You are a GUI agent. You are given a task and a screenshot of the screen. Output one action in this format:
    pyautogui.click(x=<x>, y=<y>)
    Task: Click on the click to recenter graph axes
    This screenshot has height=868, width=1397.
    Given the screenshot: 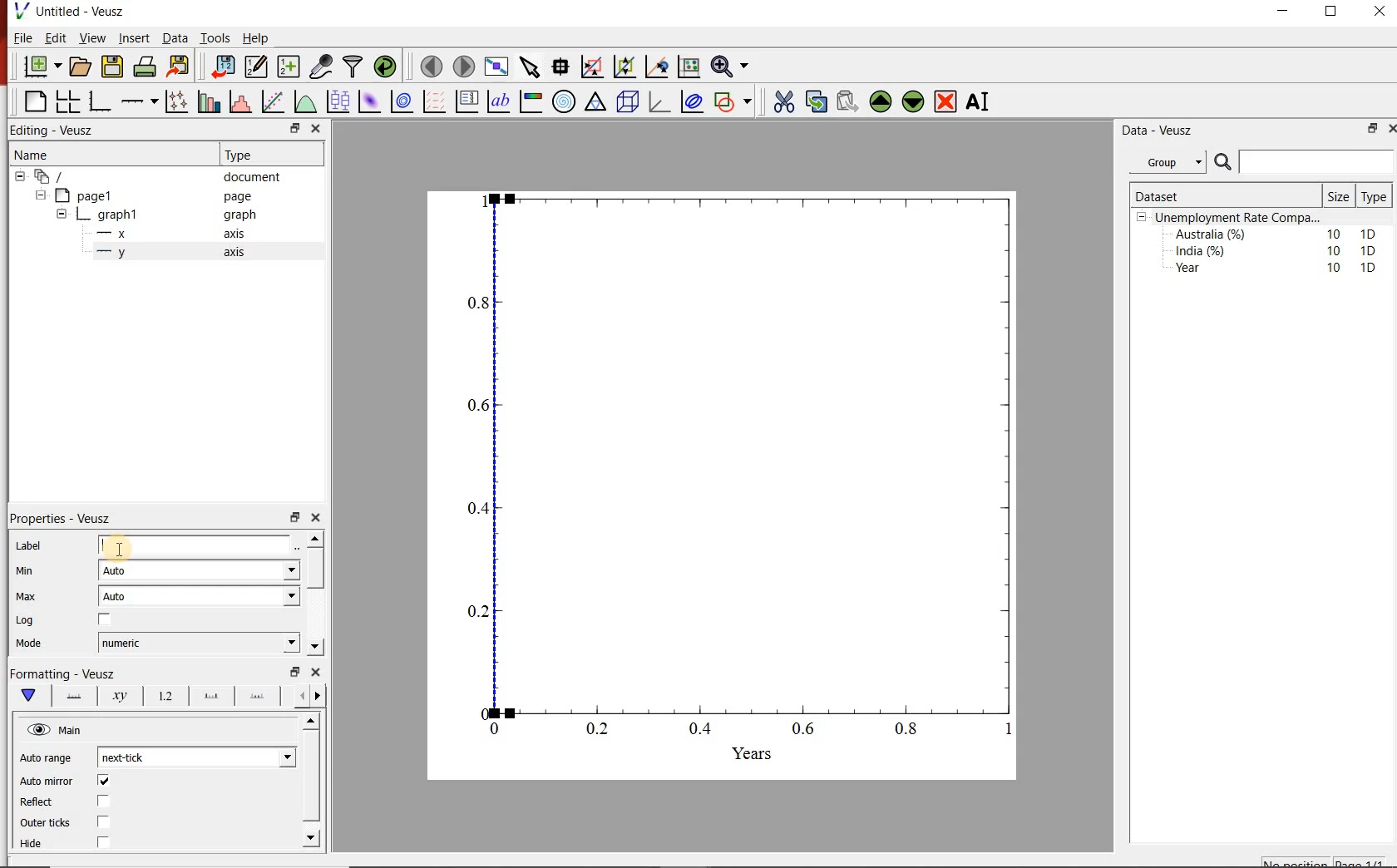 What is the action you would take?
    pyautogui.click(x=658, y=66)
    